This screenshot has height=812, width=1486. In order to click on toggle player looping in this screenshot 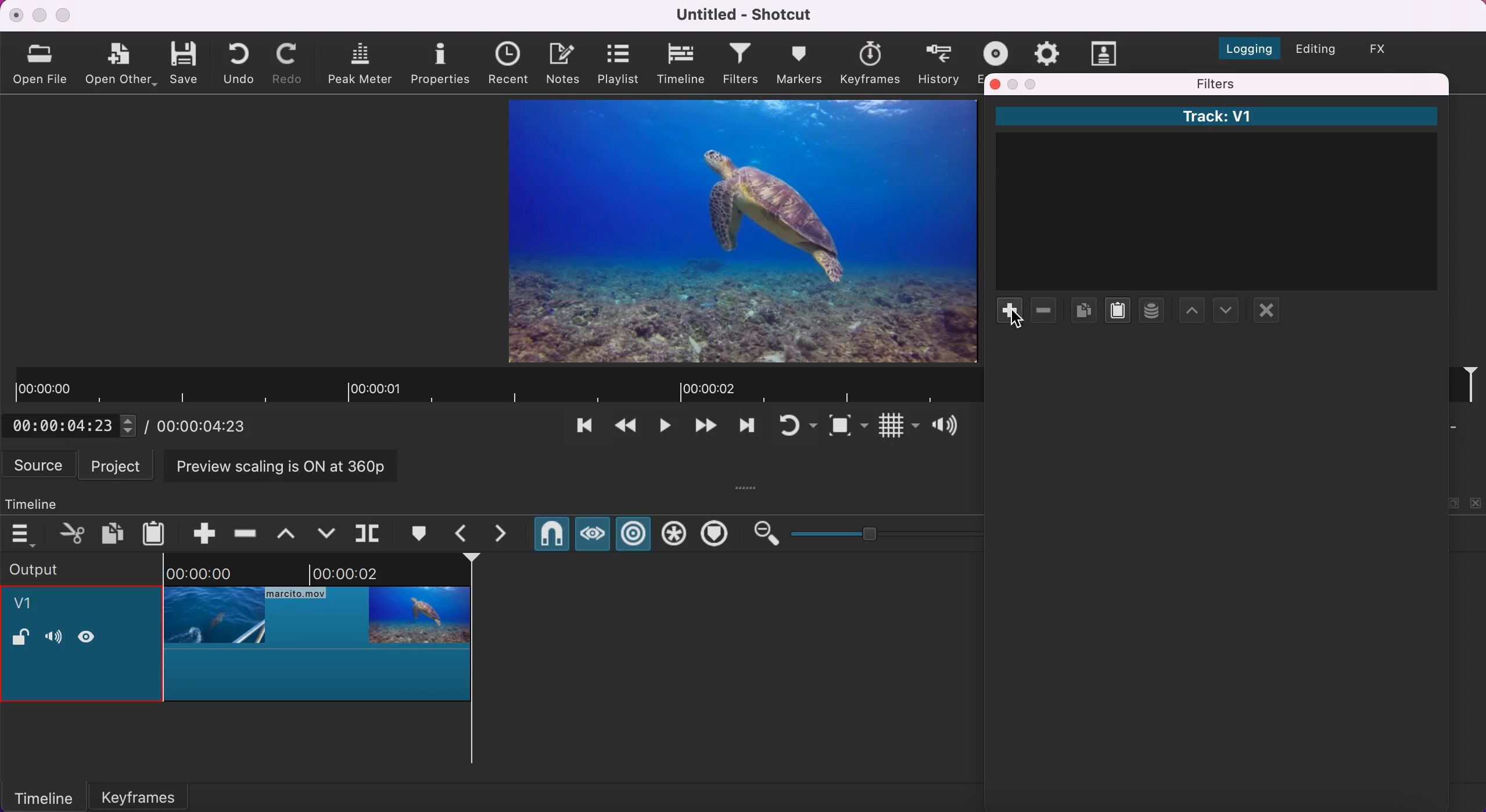, I will do `click(796, 427)`.